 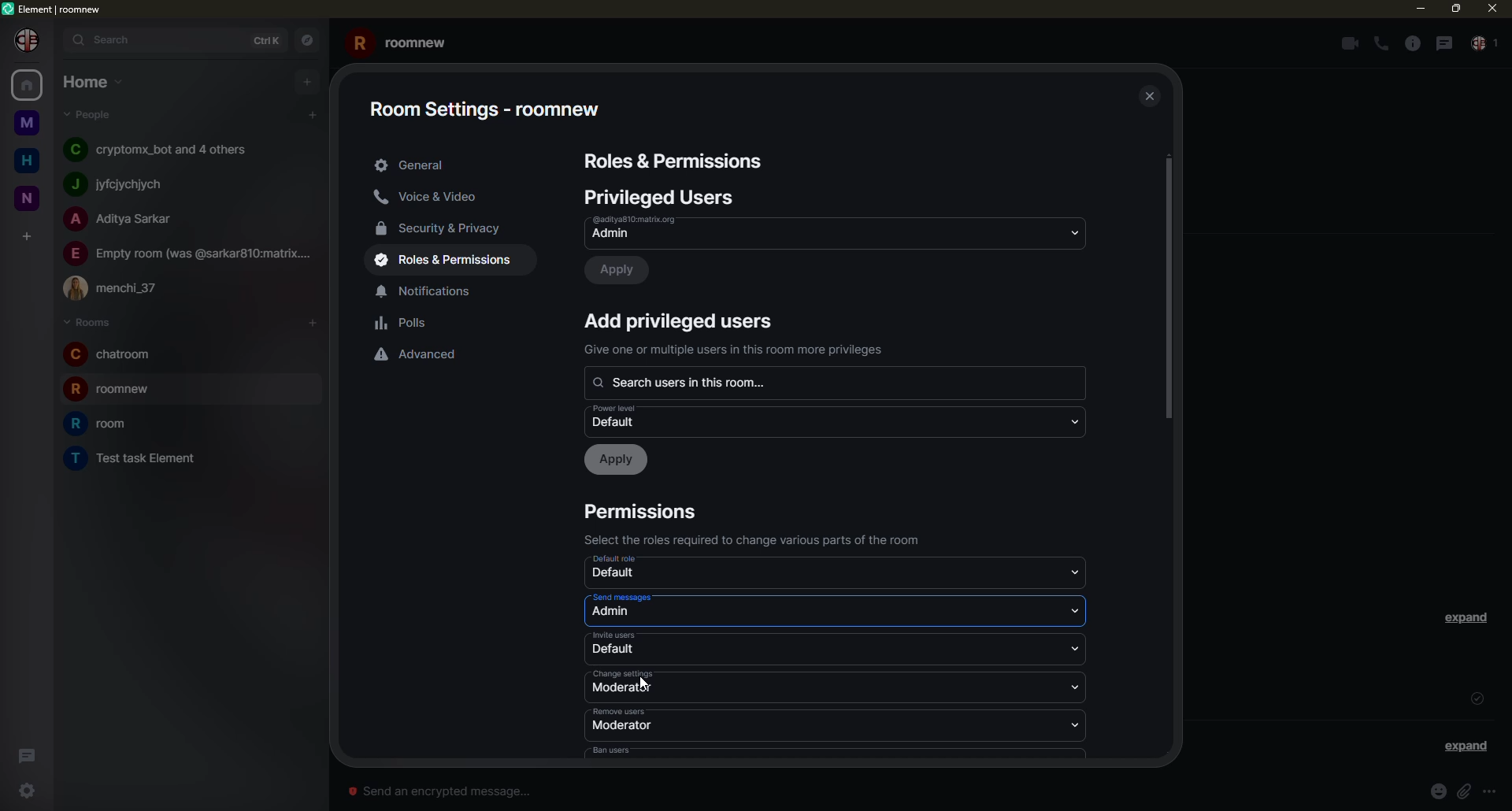 What do you see at coordinates (124, 220) in the screenshot?
I see `people` at bounding box center [124, 220].